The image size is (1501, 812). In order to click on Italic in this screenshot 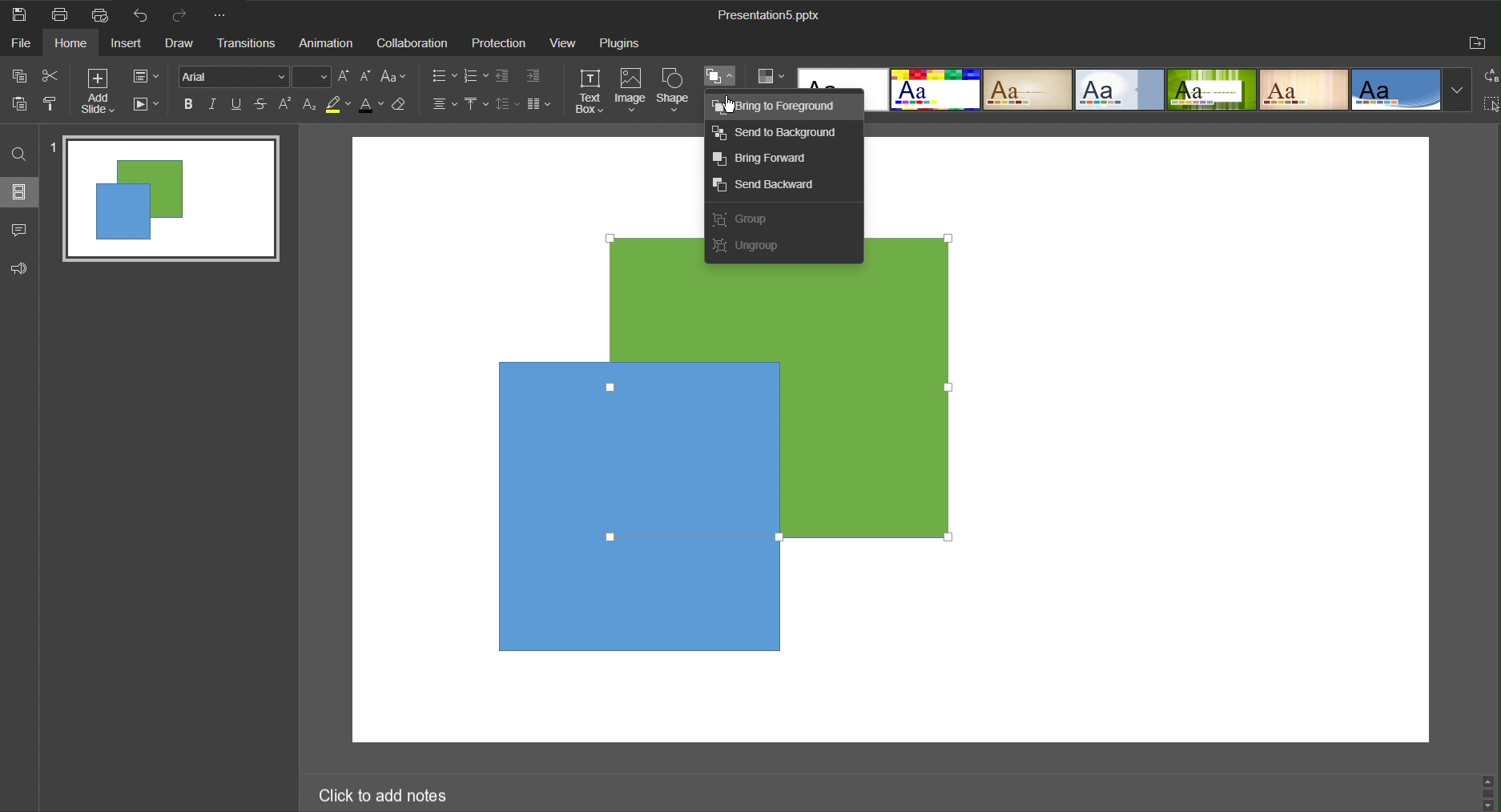, I will do `click(211, 103)`.